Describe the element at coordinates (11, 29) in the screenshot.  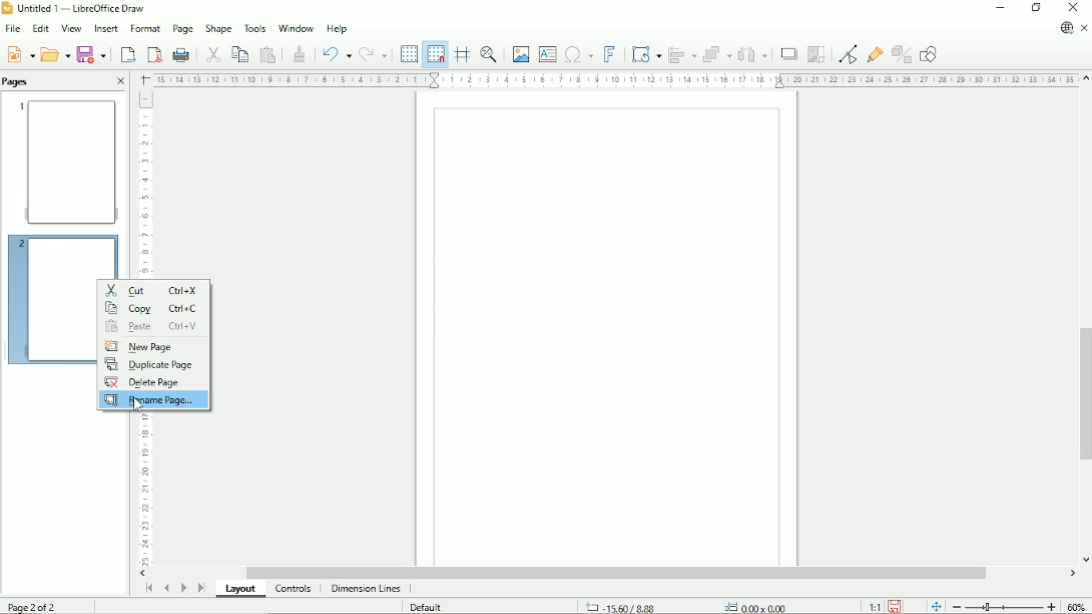
I see `File` at that location.